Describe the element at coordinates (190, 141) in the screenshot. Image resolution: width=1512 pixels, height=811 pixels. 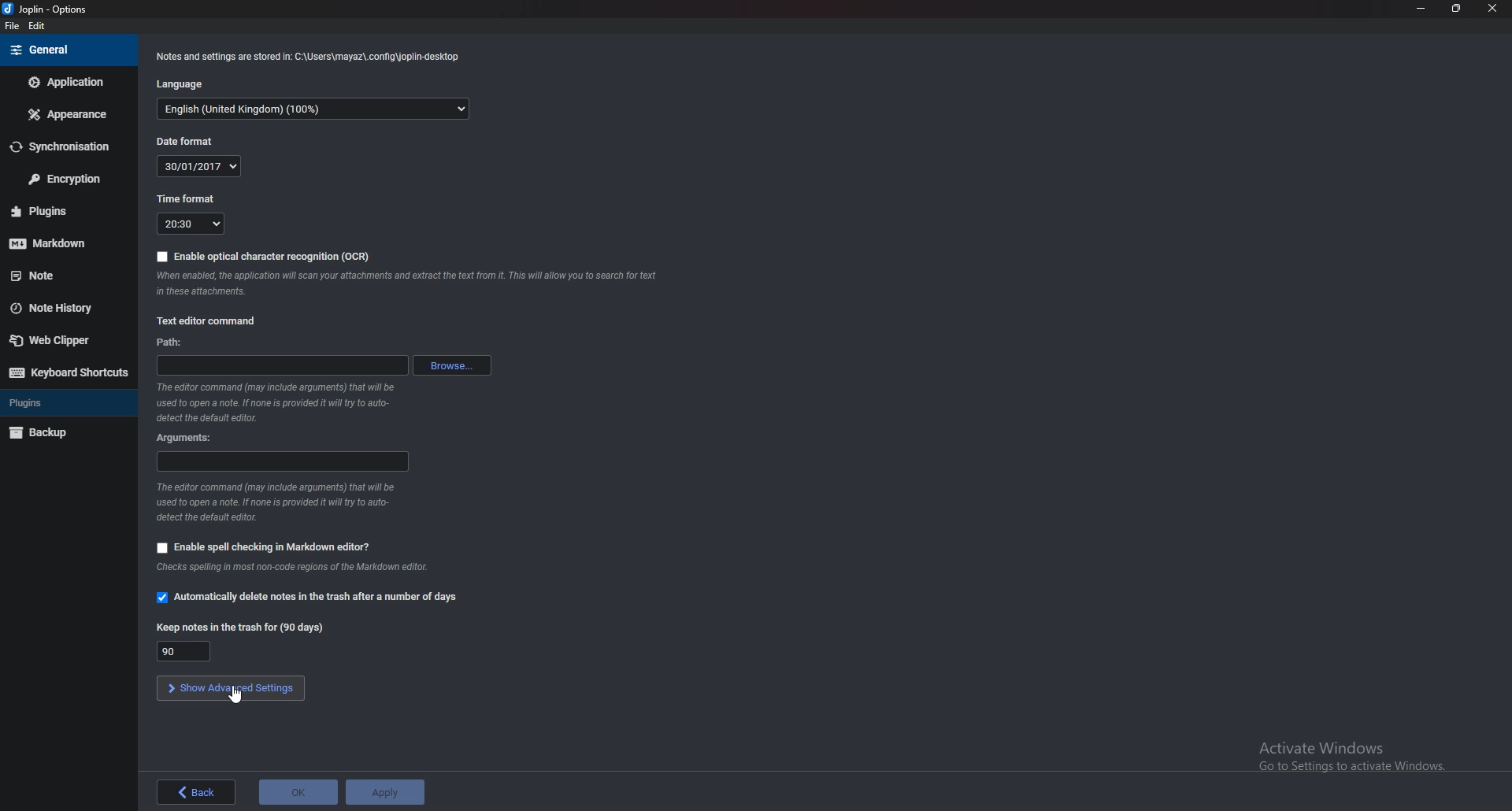
I see `Date format` at that location.